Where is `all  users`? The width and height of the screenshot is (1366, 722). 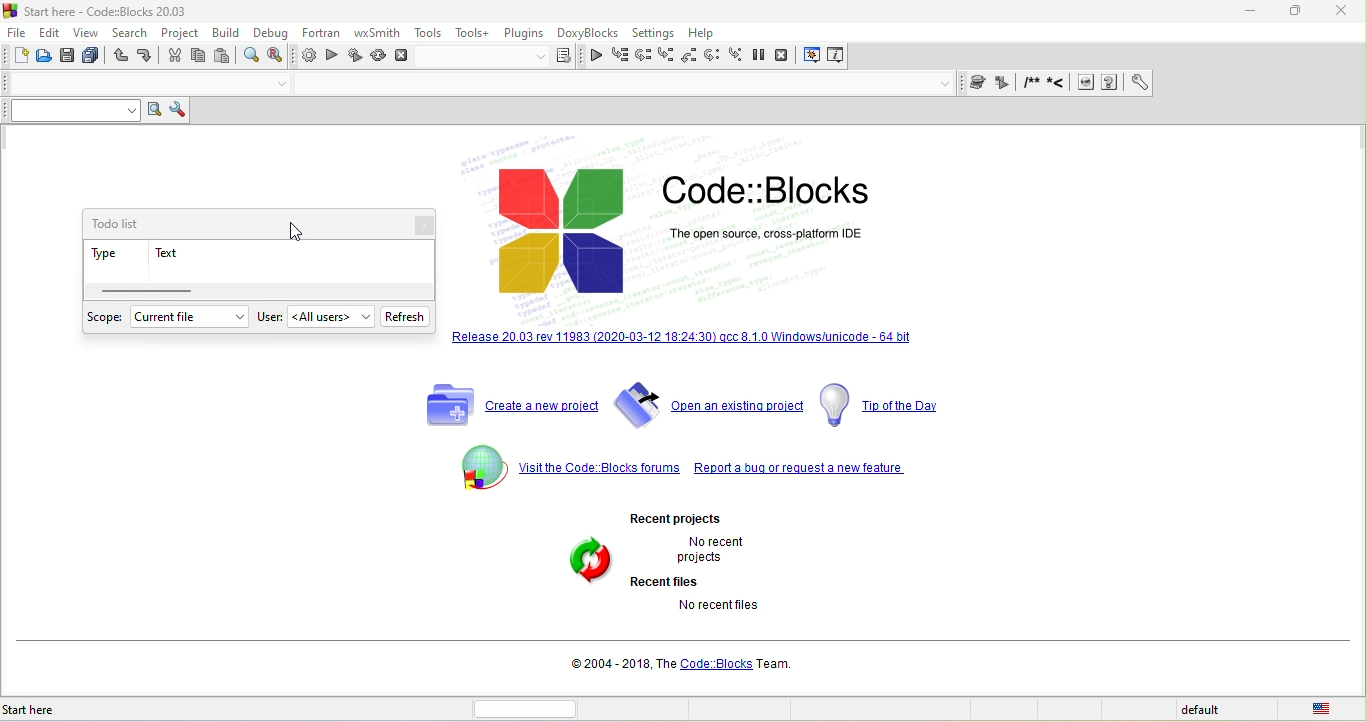 all  users is located at coordinates (333, 317).